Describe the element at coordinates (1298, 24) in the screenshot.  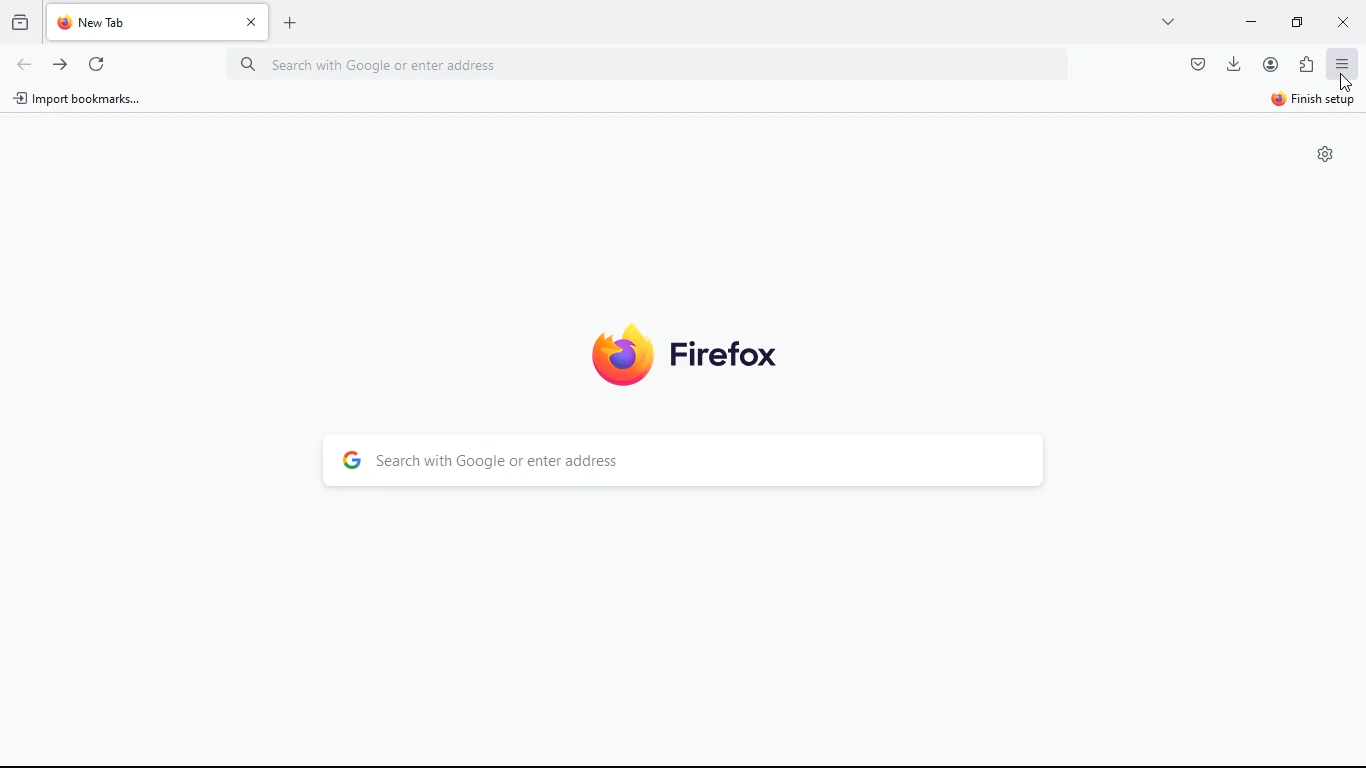
I see `maximize` at that location.